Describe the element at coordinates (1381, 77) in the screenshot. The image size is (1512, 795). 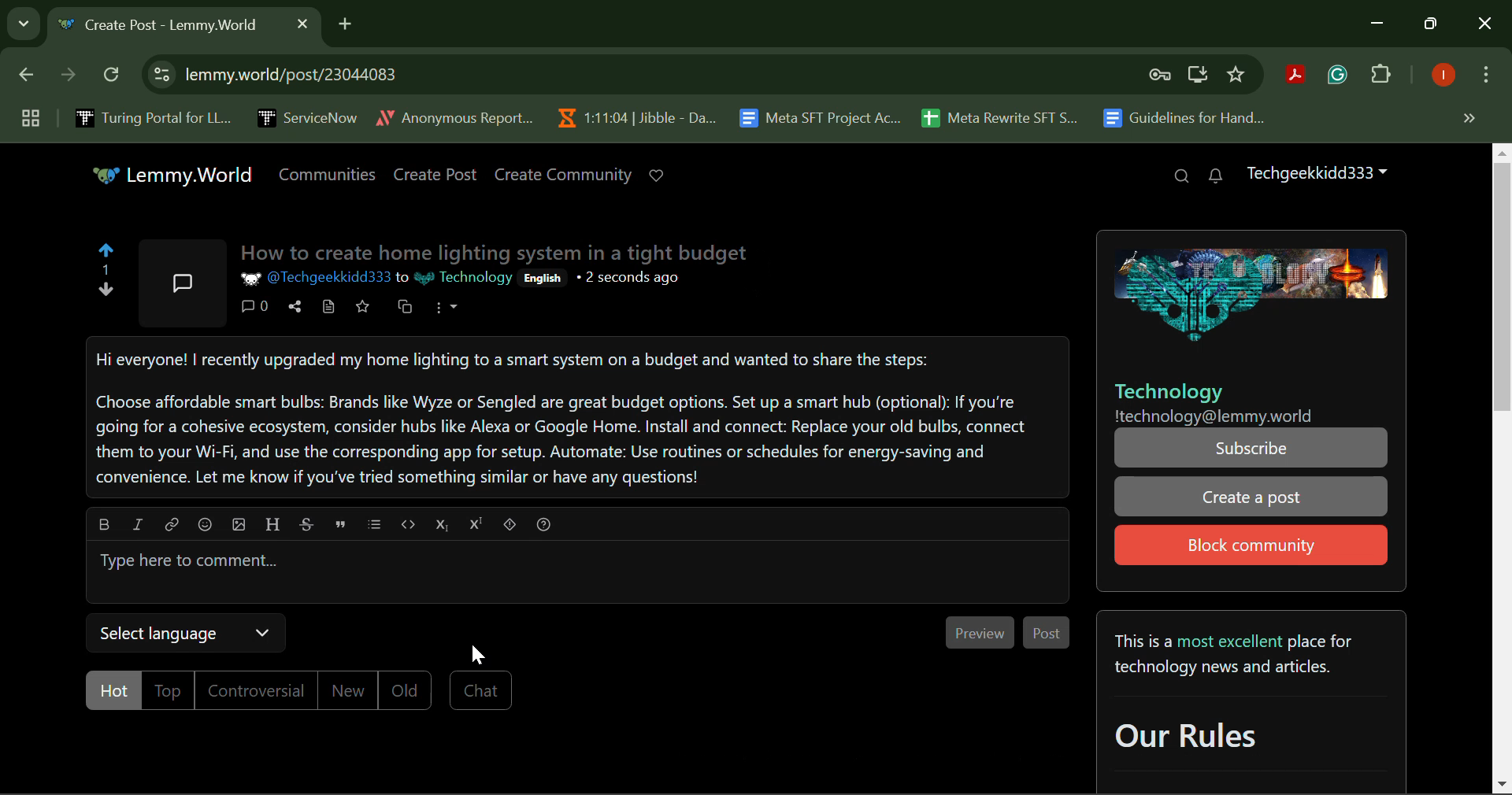
I see `Plugins` at that location.